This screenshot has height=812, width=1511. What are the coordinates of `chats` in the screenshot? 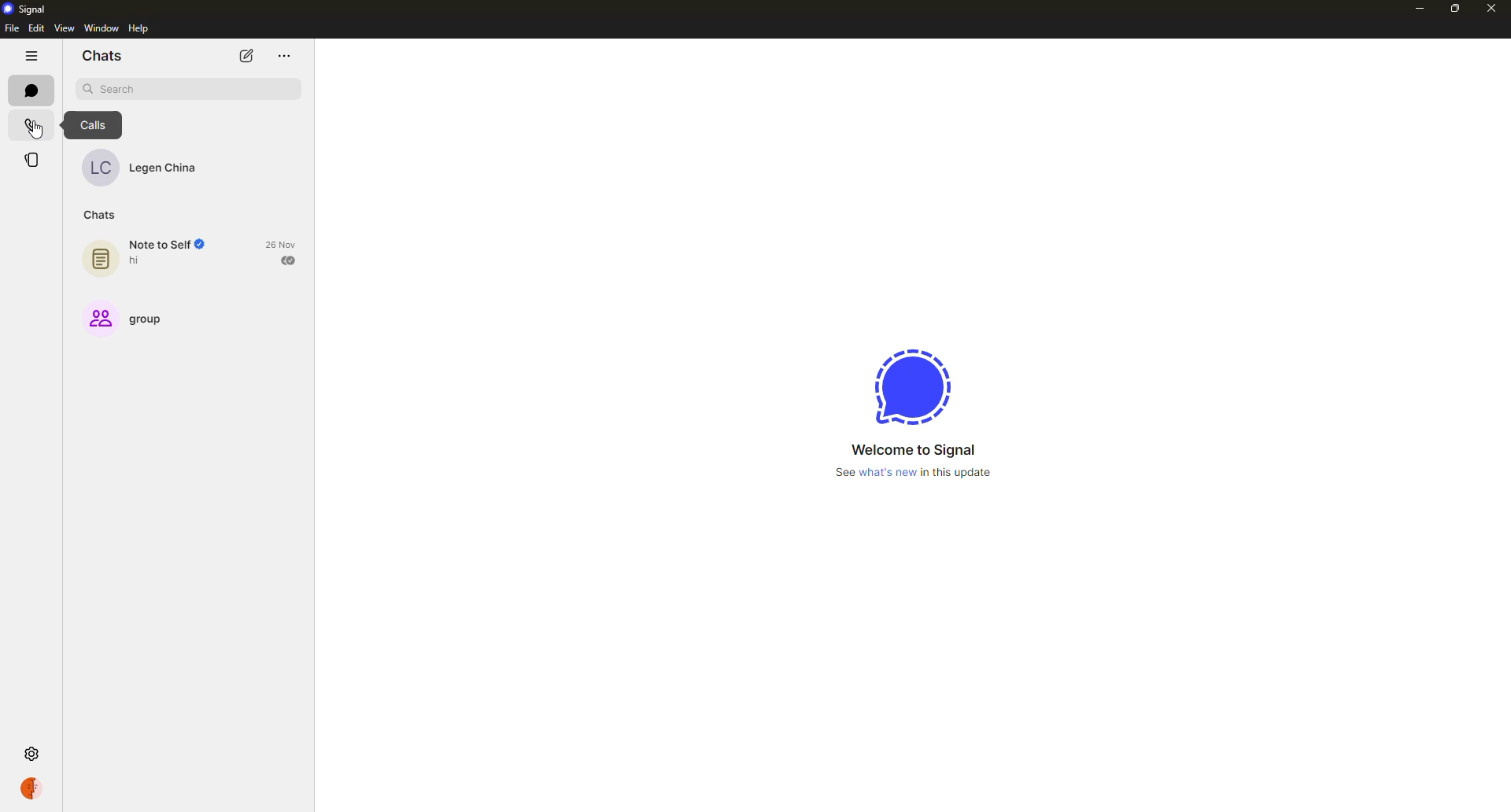 It's located at (100, 216).